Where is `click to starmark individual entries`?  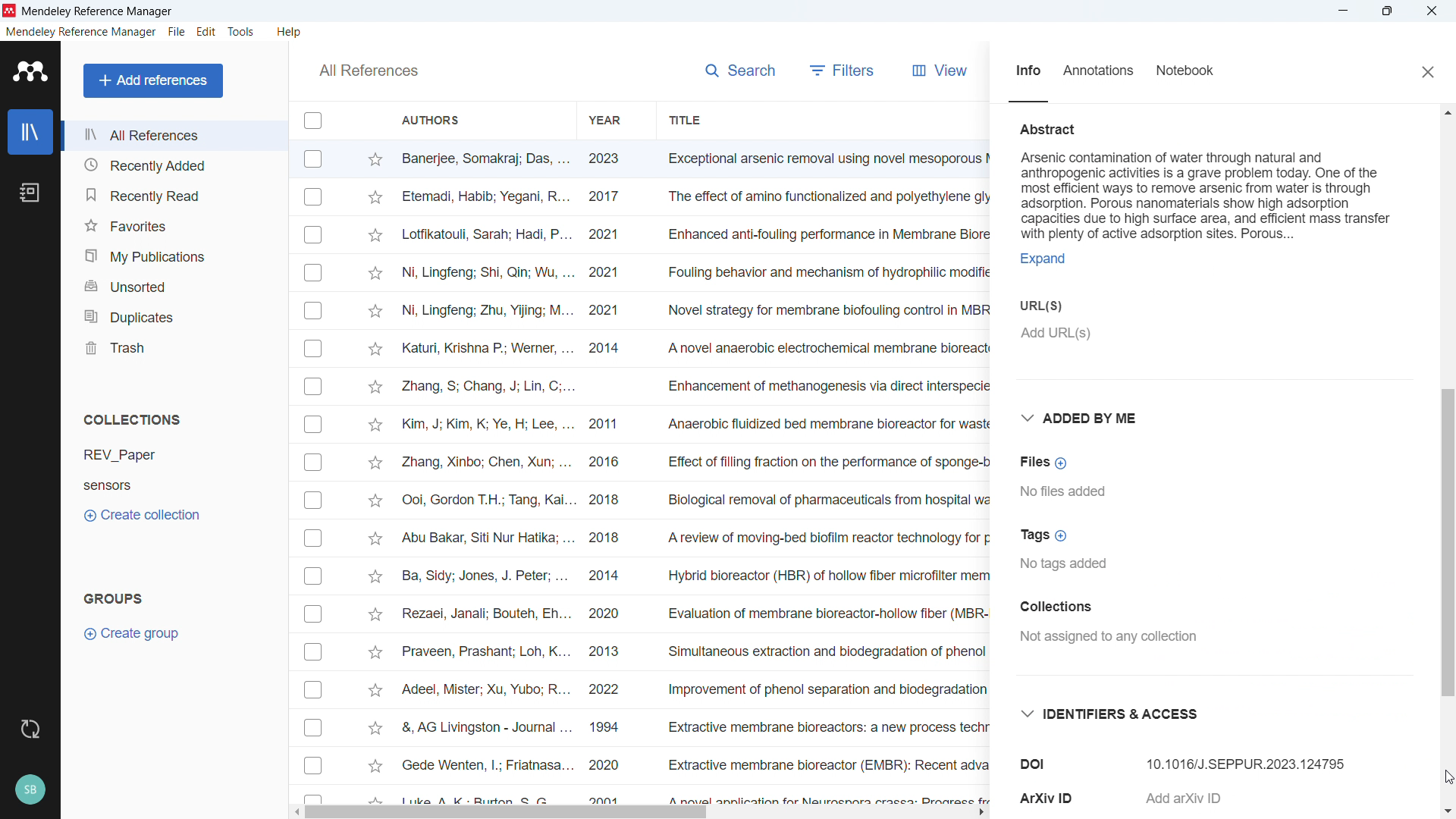
click to starmark individual entries is located at coordinates (374, 769).